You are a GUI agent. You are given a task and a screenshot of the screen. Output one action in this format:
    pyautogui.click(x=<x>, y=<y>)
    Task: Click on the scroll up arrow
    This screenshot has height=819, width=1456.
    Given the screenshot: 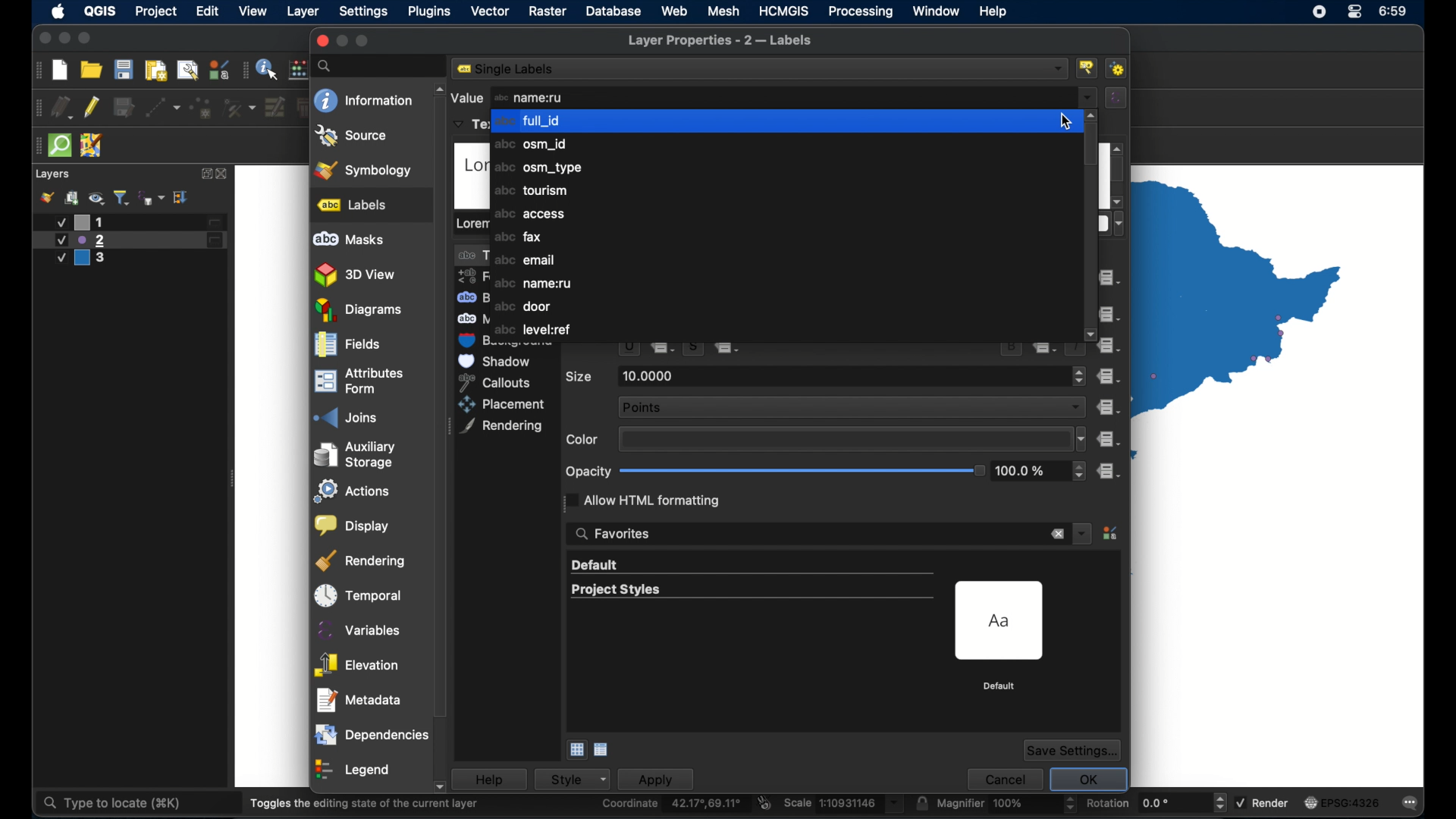 What is the action you would take?
    pyautogui.click(x=437, y=89)
    